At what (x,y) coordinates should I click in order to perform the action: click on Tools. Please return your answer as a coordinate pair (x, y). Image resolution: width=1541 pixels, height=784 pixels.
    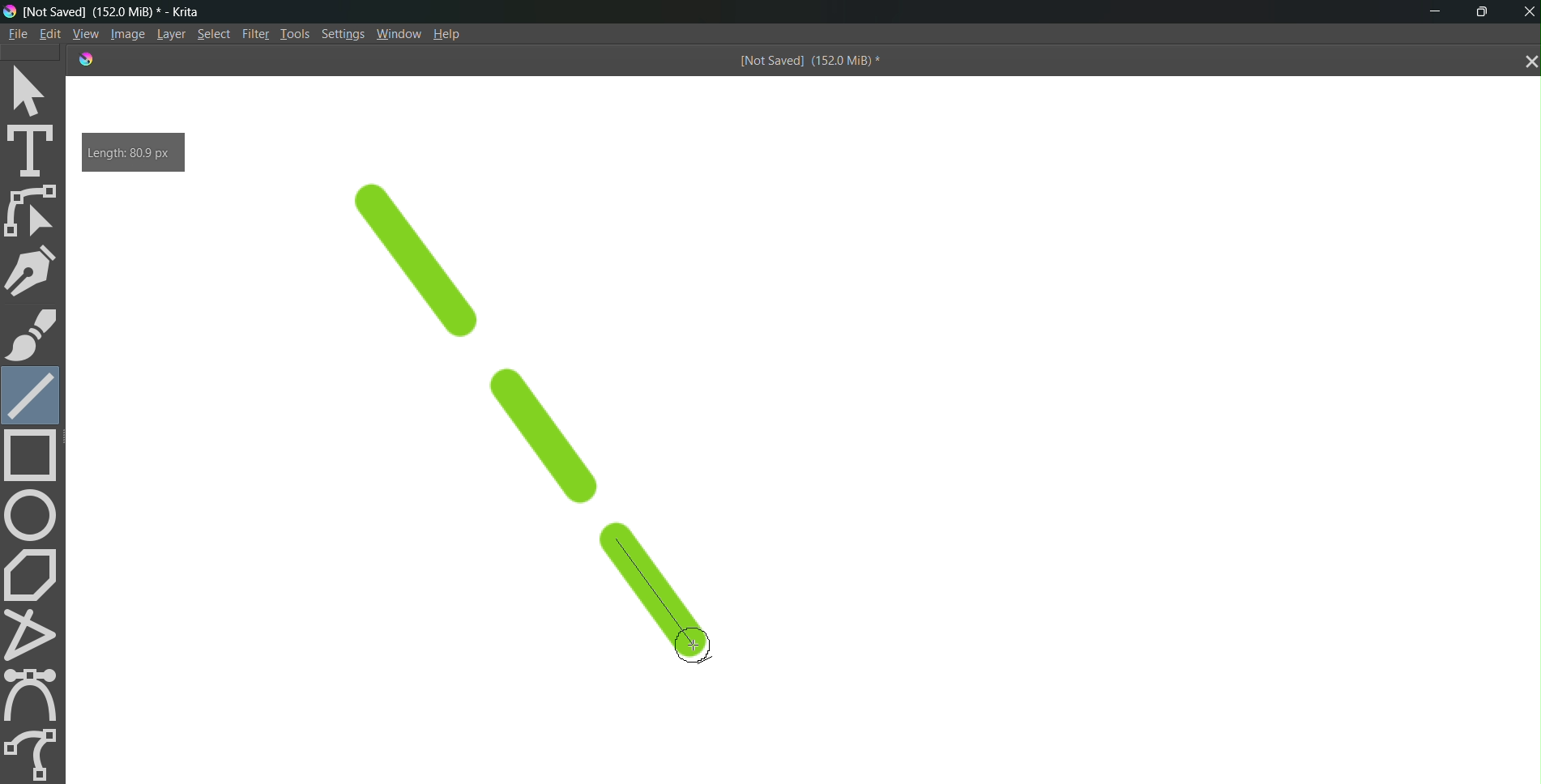
    Looking at the image, I should click on (293, 32).